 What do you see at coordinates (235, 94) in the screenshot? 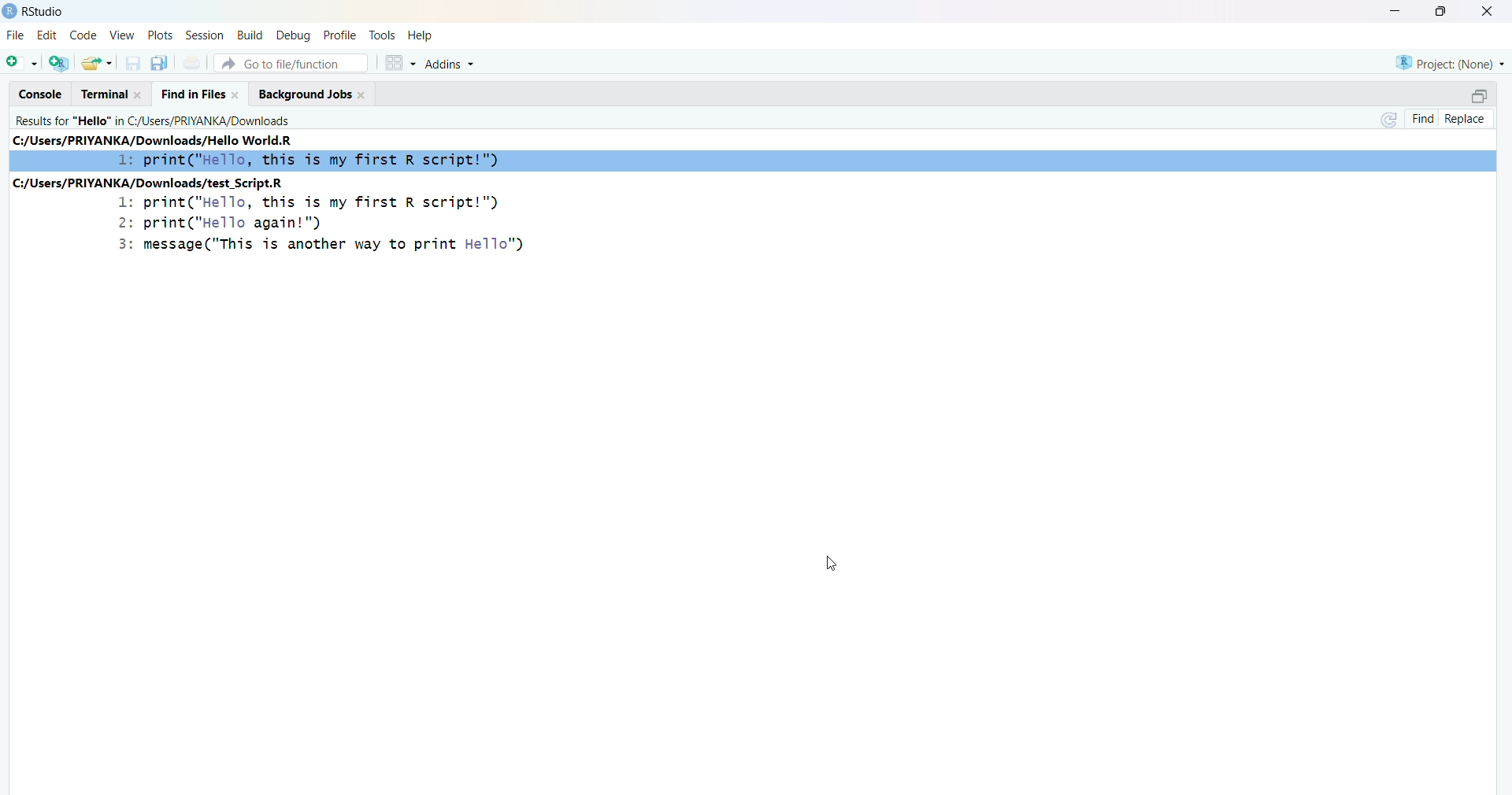
I see `Close ` at bounding box center [235, 94].